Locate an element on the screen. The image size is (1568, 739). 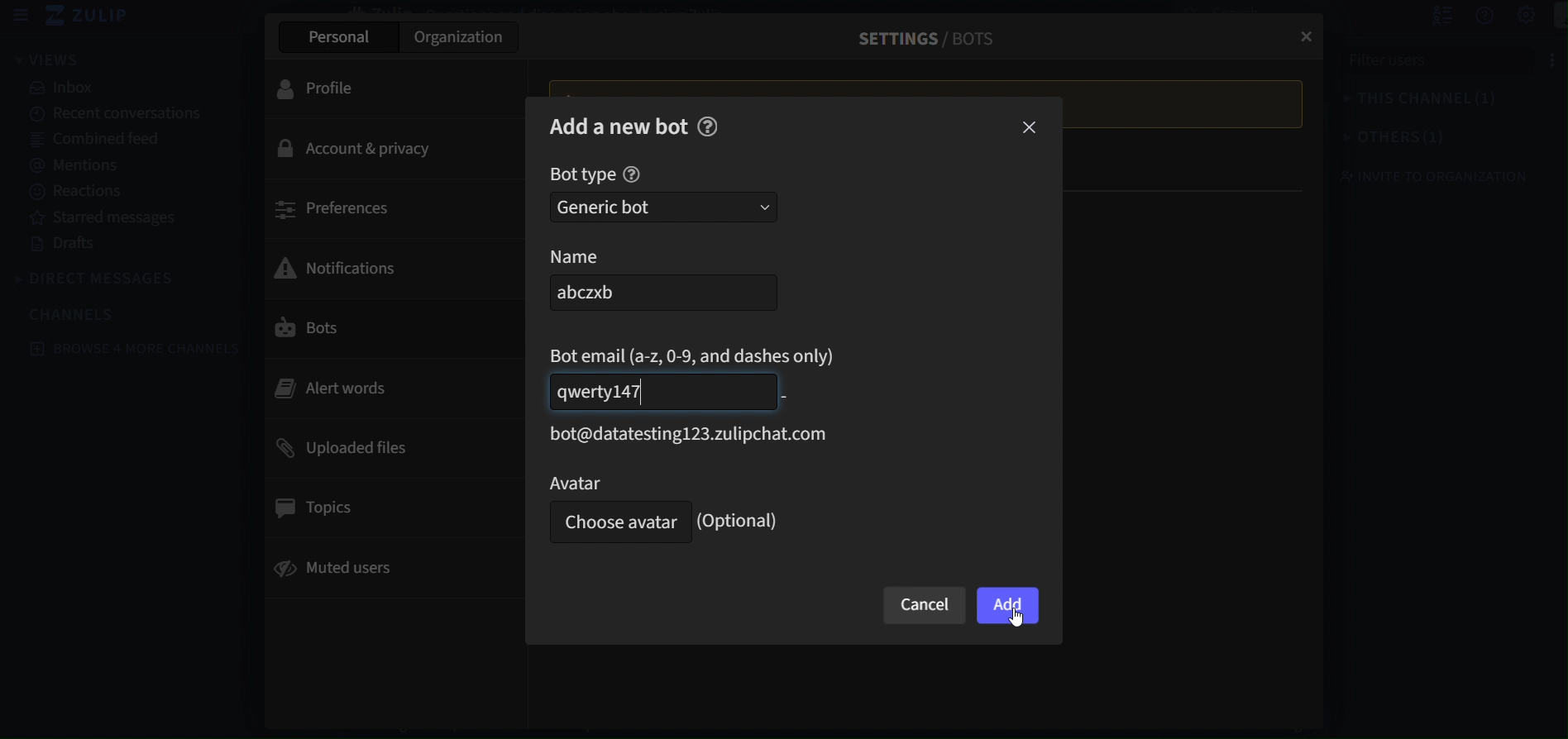
browse 4 more channels is located at coordinates (138, 348).